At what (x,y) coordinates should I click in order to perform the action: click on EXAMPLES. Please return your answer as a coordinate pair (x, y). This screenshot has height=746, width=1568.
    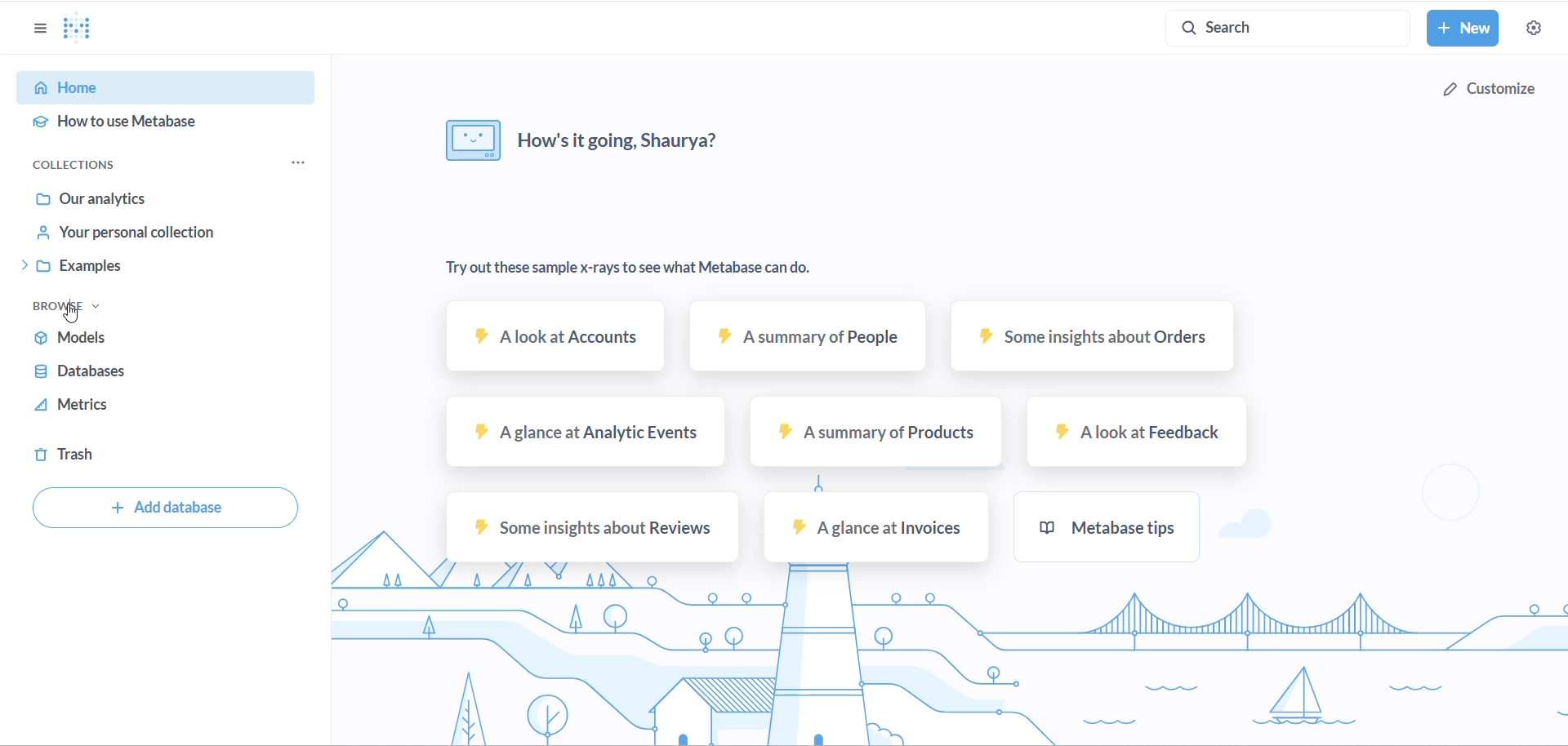
    Looking at the image, I should click on (121, 269).